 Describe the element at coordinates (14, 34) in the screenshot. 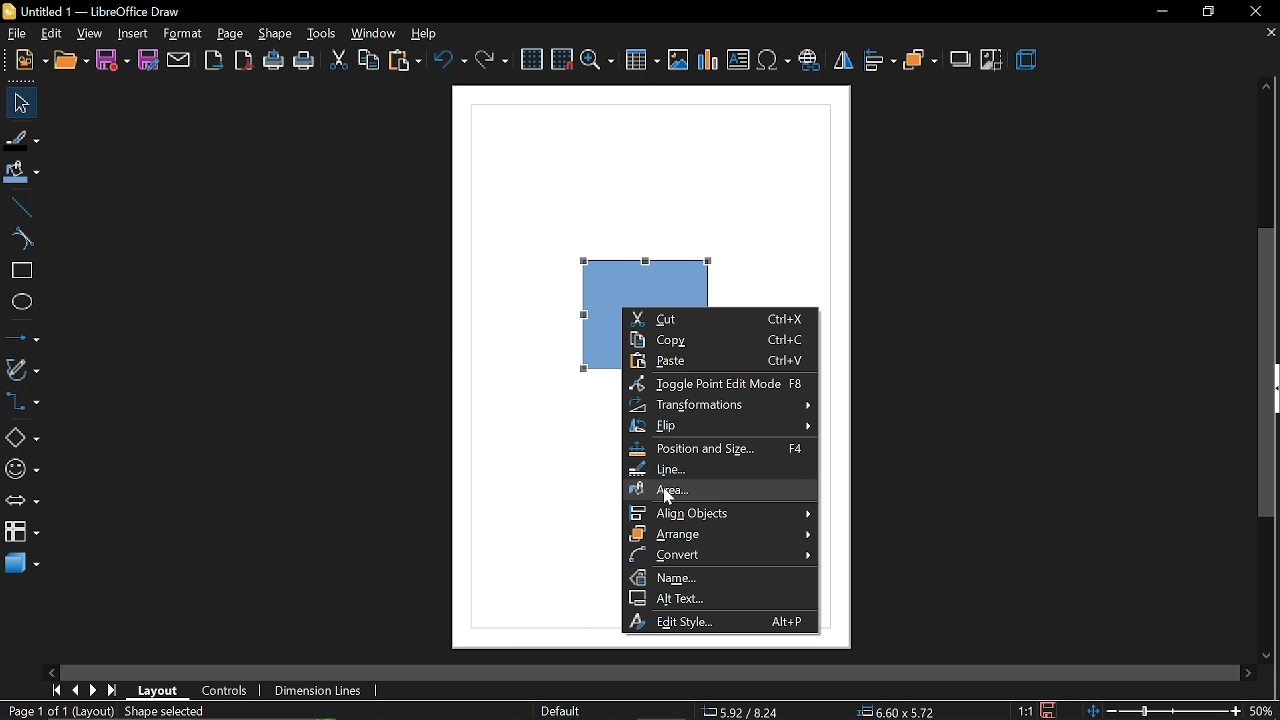

I see `file` at that location.